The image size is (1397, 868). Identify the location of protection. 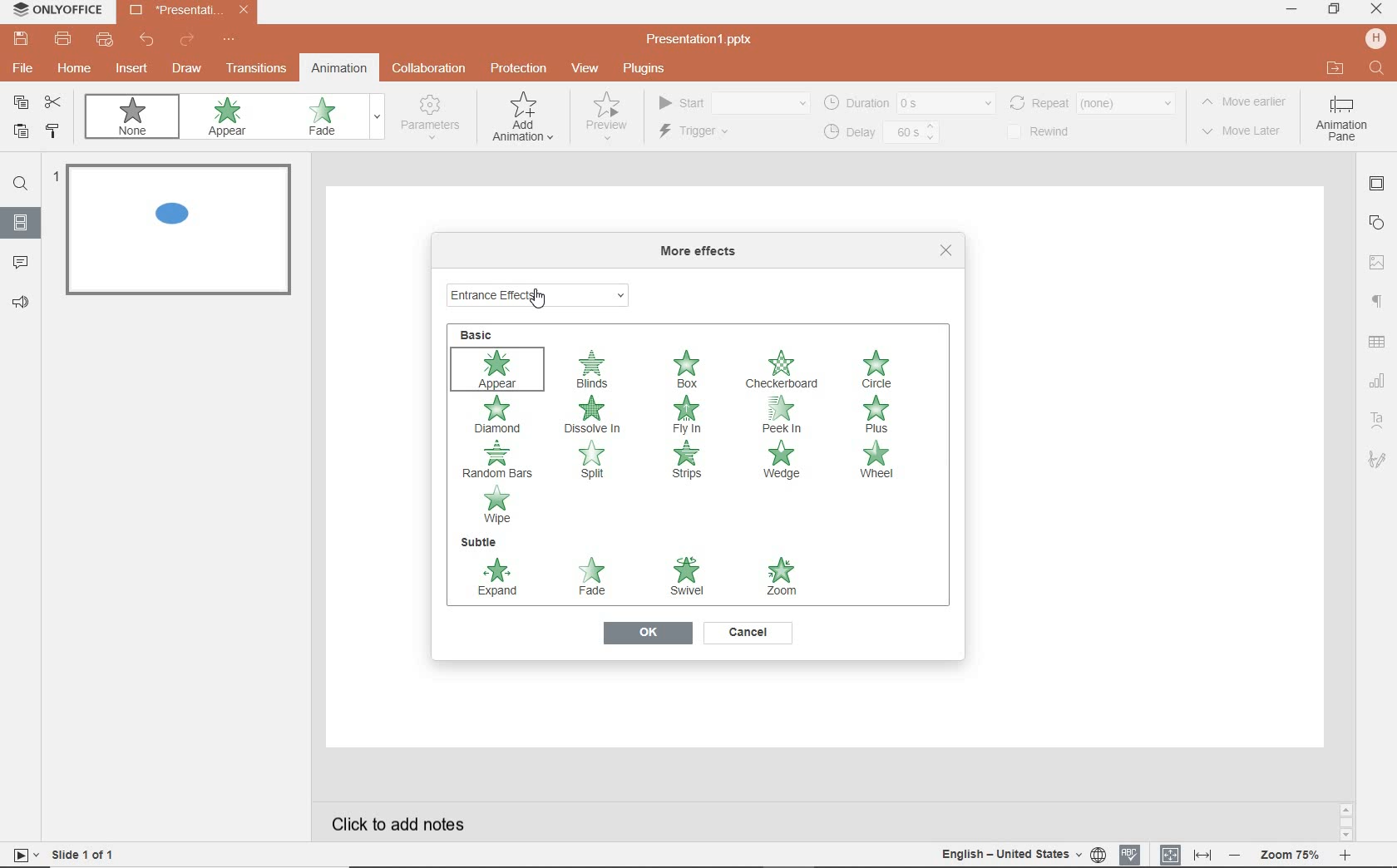
(517, 67).